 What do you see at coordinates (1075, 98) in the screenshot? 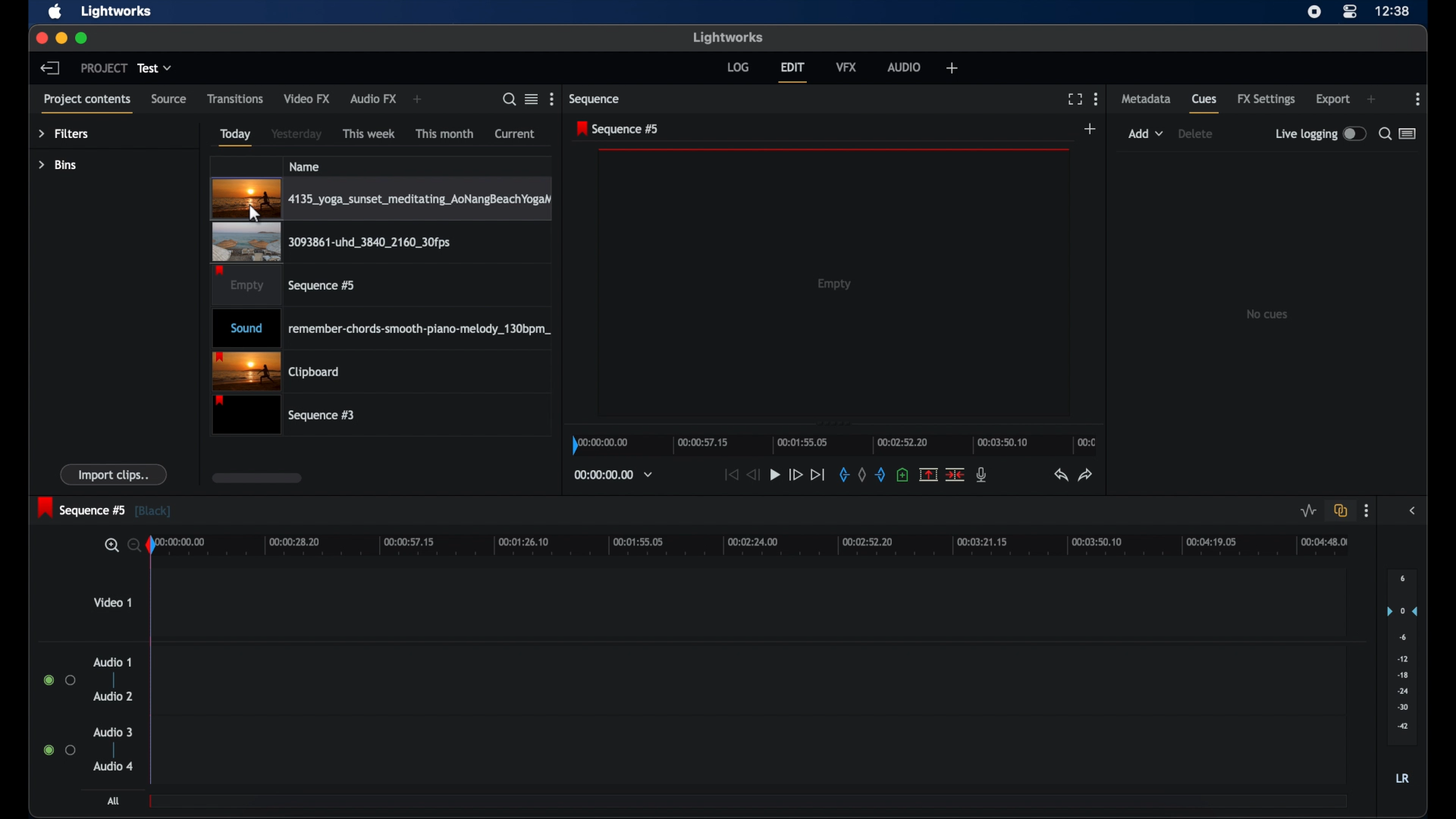
I see `full screen` at bounding box center [1075, 98].